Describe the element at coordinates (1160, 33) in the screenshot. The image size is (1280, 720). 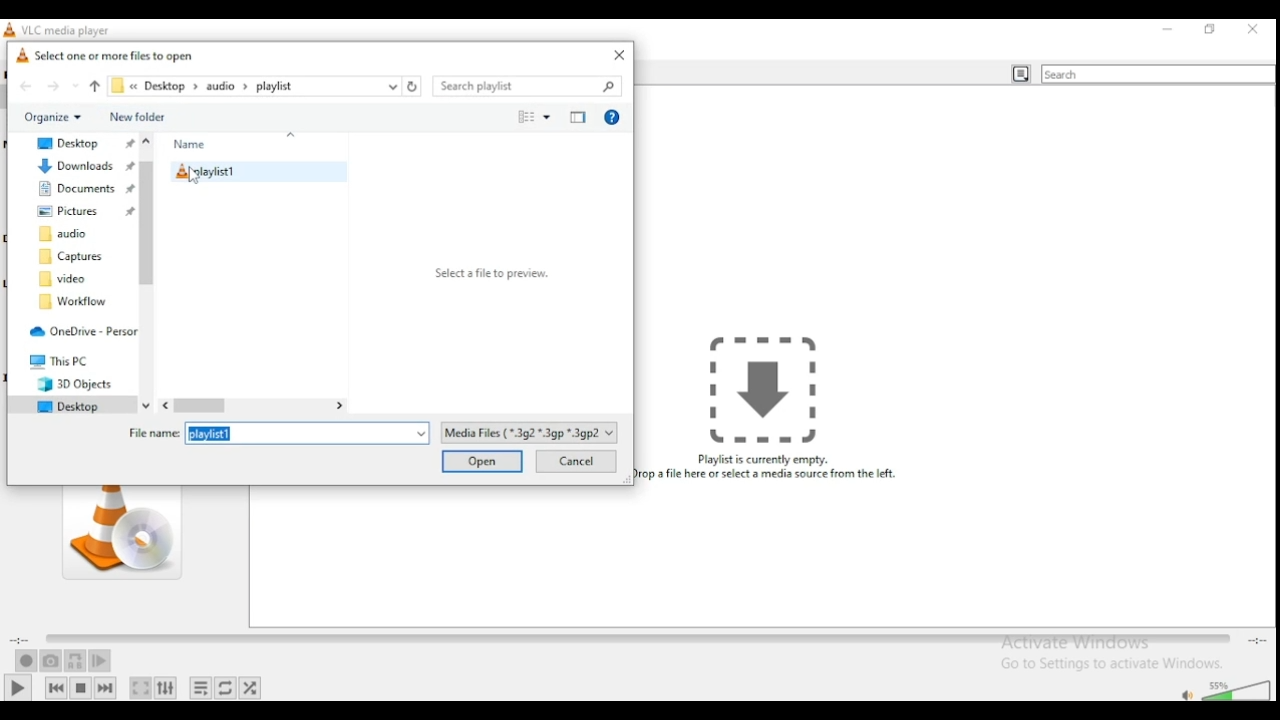
I see `minimize` at that location.